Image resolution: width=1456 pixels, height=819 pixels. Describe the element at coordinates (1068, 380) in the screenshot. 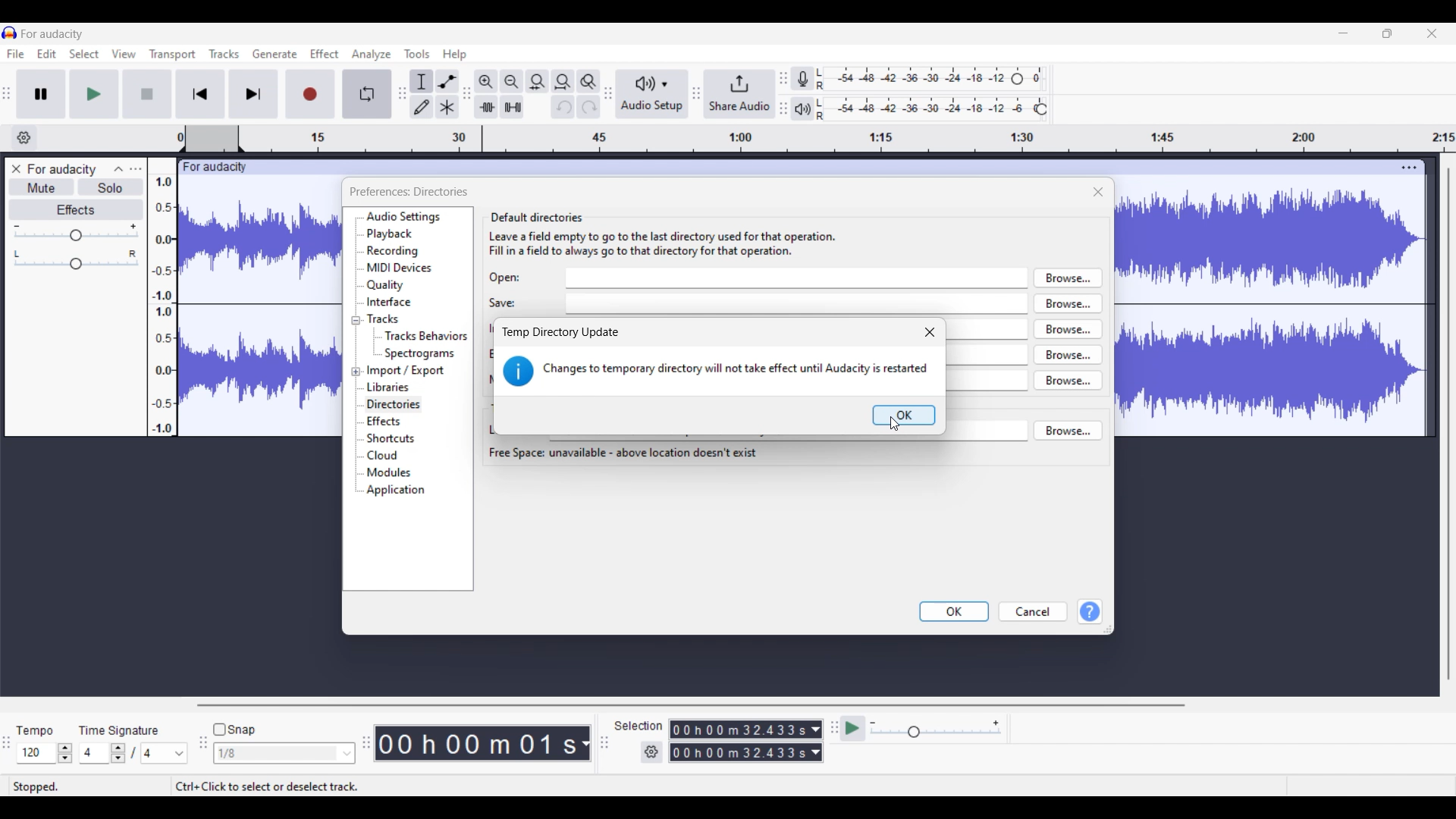

I see `browse` at that location.